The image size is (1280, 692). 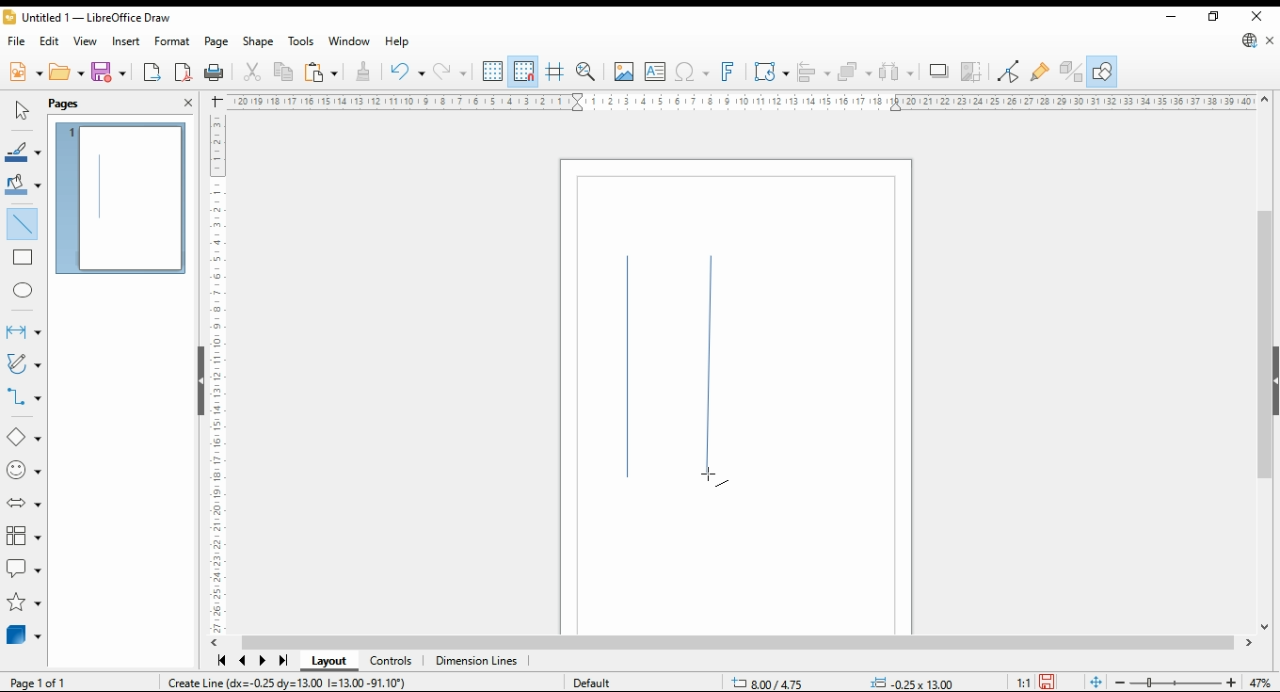 What do you see at coordinates (20, 438) in the screenshot?
I see `basic shapes` at bounding box center [20, 438].